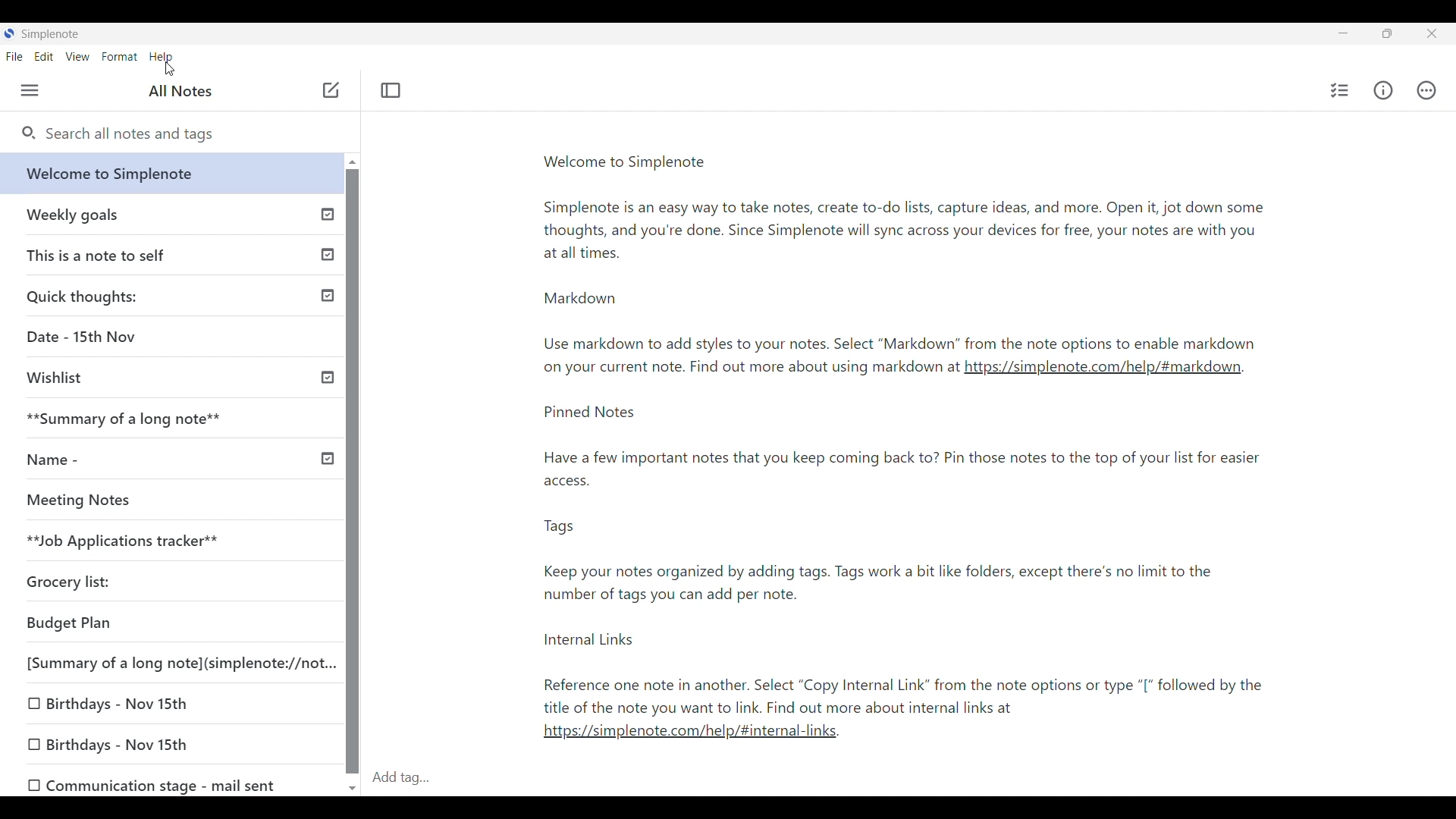 The width and height of the screenshot is (1456, 819). What do you see at coordinates (1432, 33) in the screenshot?
I see `Click to close interface ` at bounding box center [1432, 33].